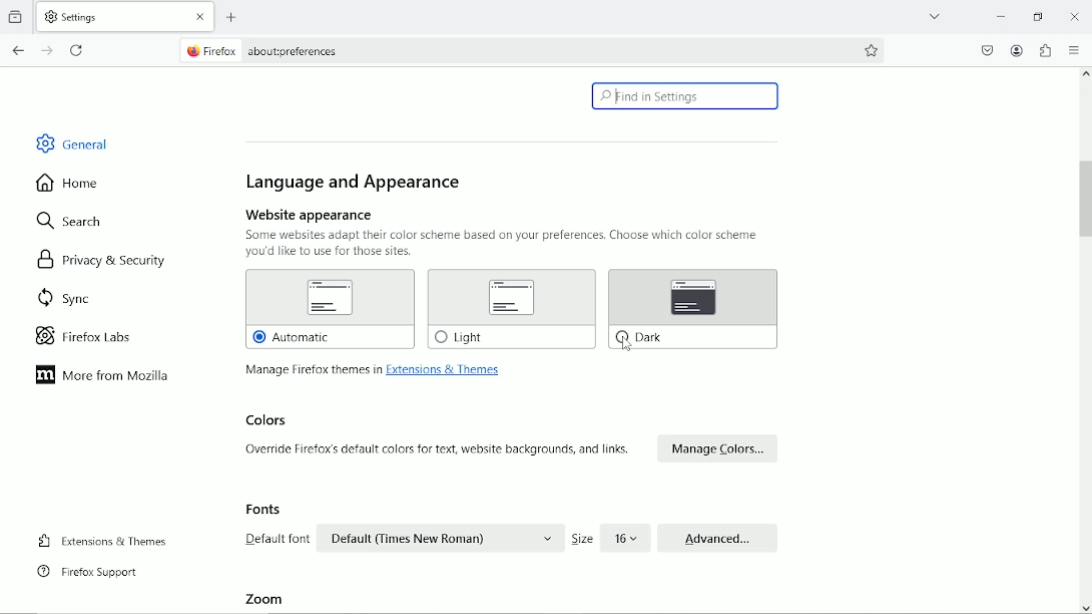 The image size is (1092, 614). What do you see at coordinates (987, 51) in the screenshot?
I see `save to pocket` at bounding box center [987, 51].